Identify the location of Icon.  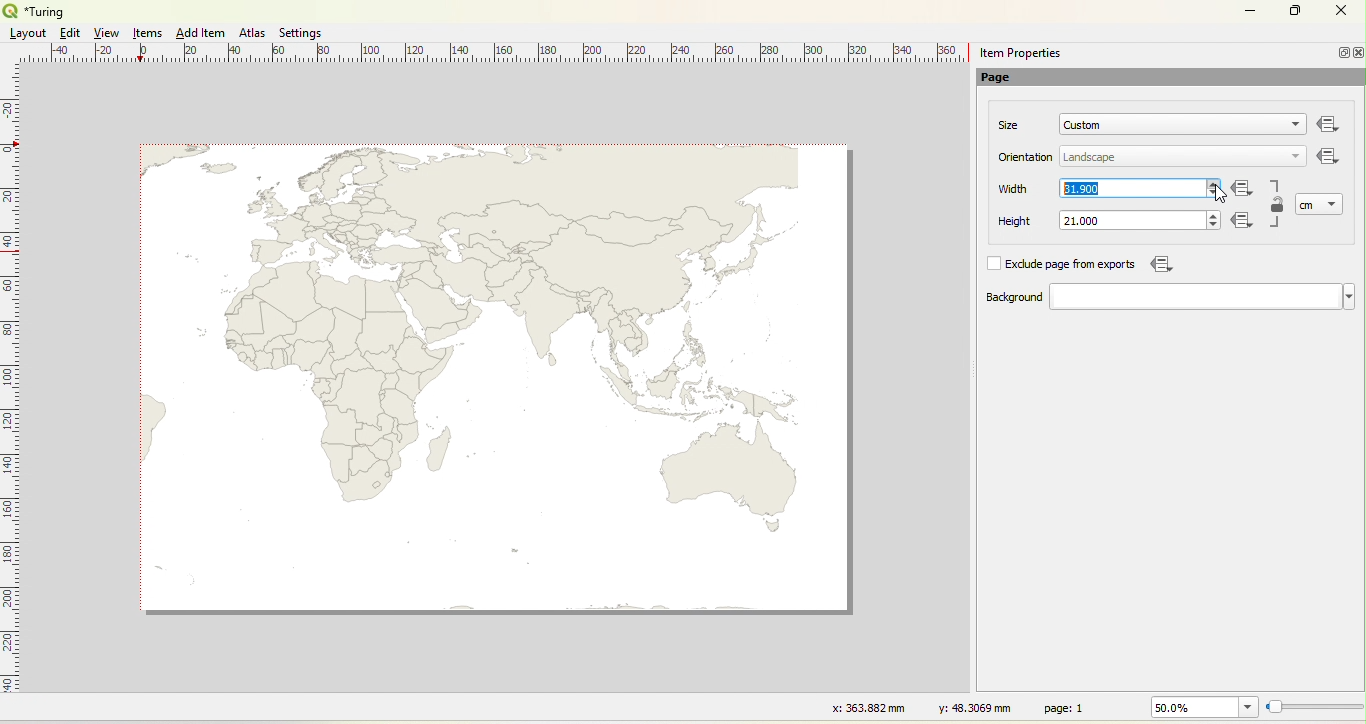
(1243, 190).